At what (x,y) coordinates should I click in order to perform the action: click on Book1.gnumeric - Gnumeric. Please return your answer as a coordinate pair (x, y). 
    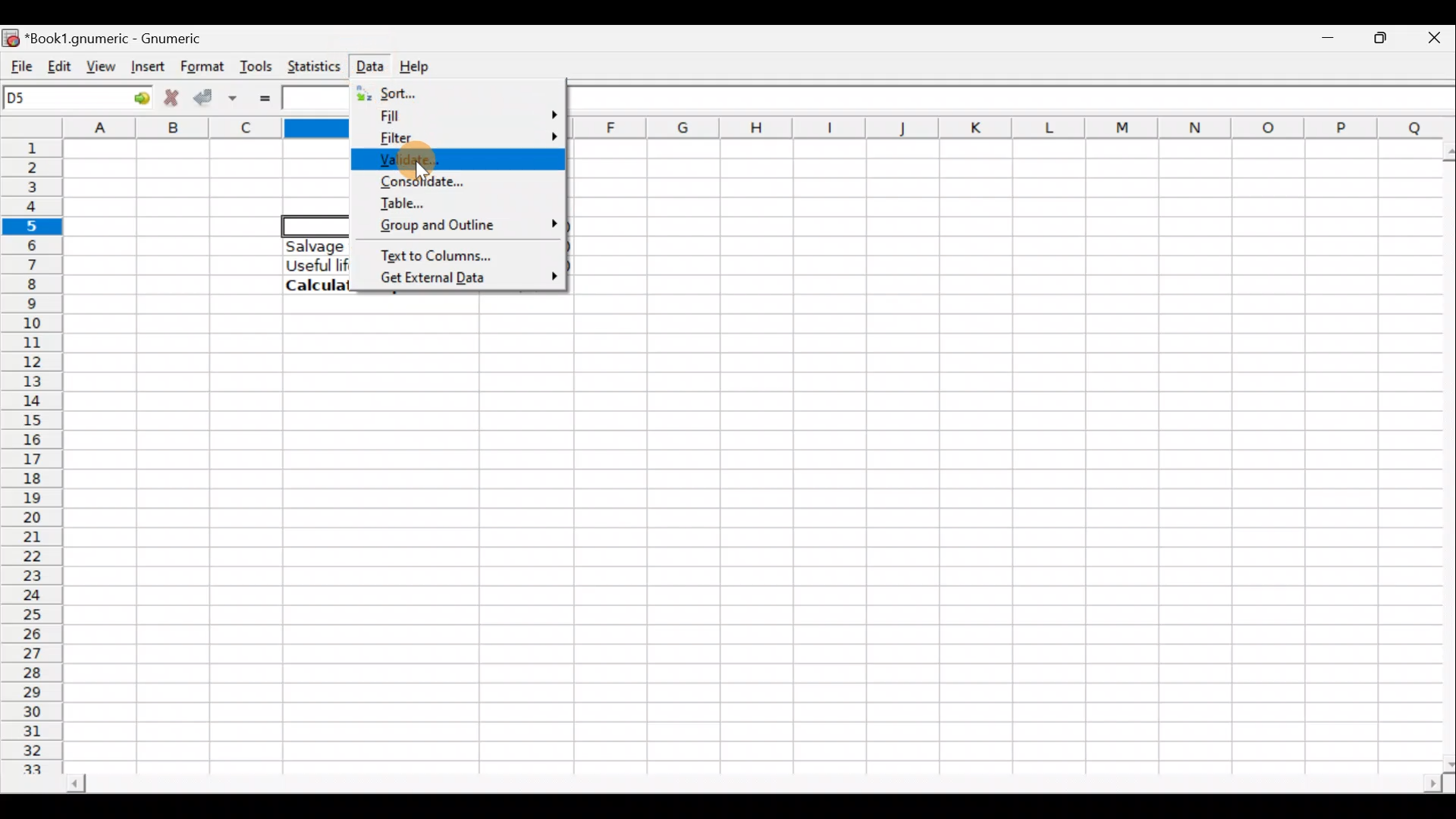
    Looking at the image, I should click on (124, 37).